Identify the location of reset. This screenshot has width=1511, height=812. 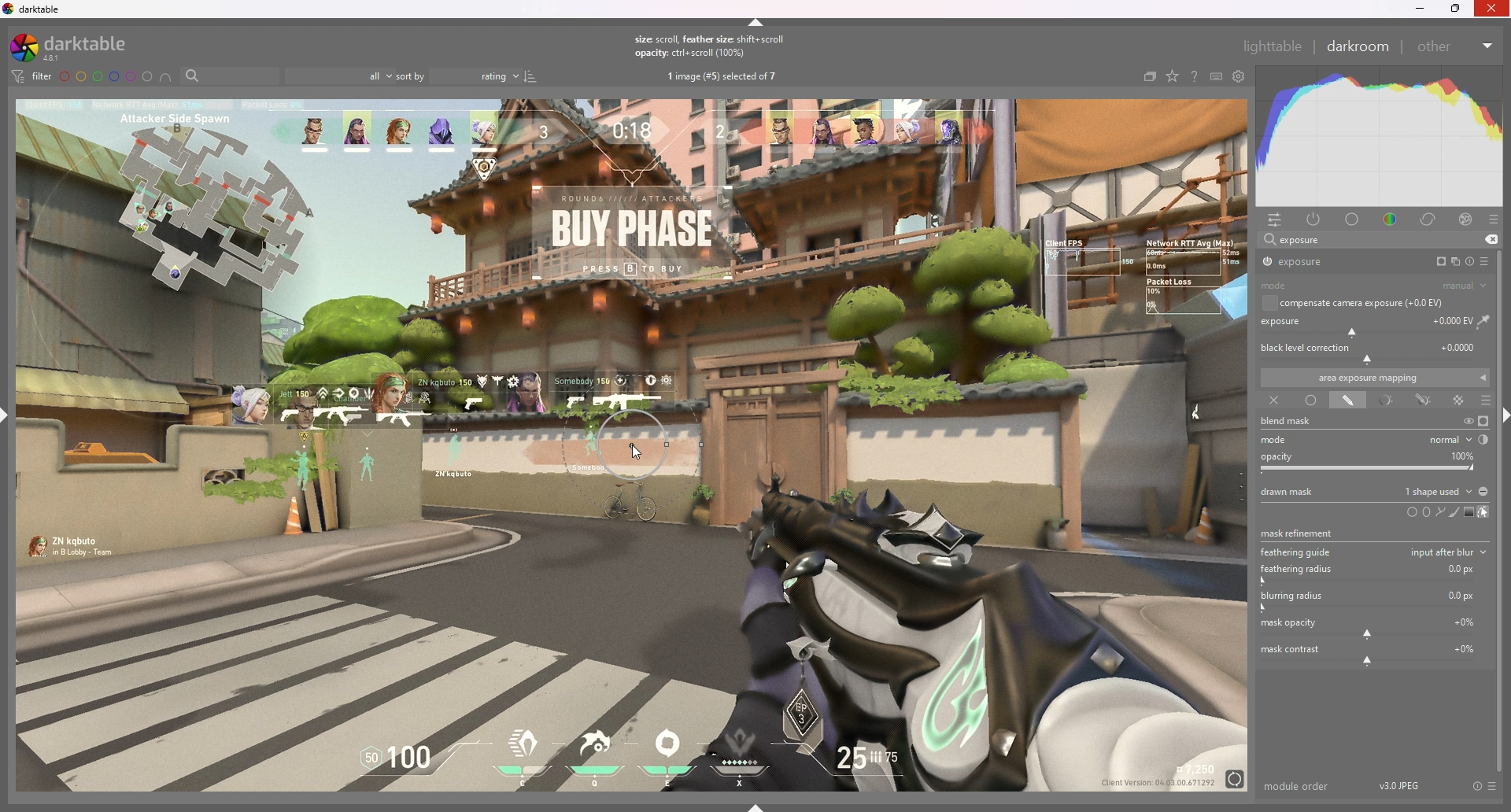
(1476, 787).